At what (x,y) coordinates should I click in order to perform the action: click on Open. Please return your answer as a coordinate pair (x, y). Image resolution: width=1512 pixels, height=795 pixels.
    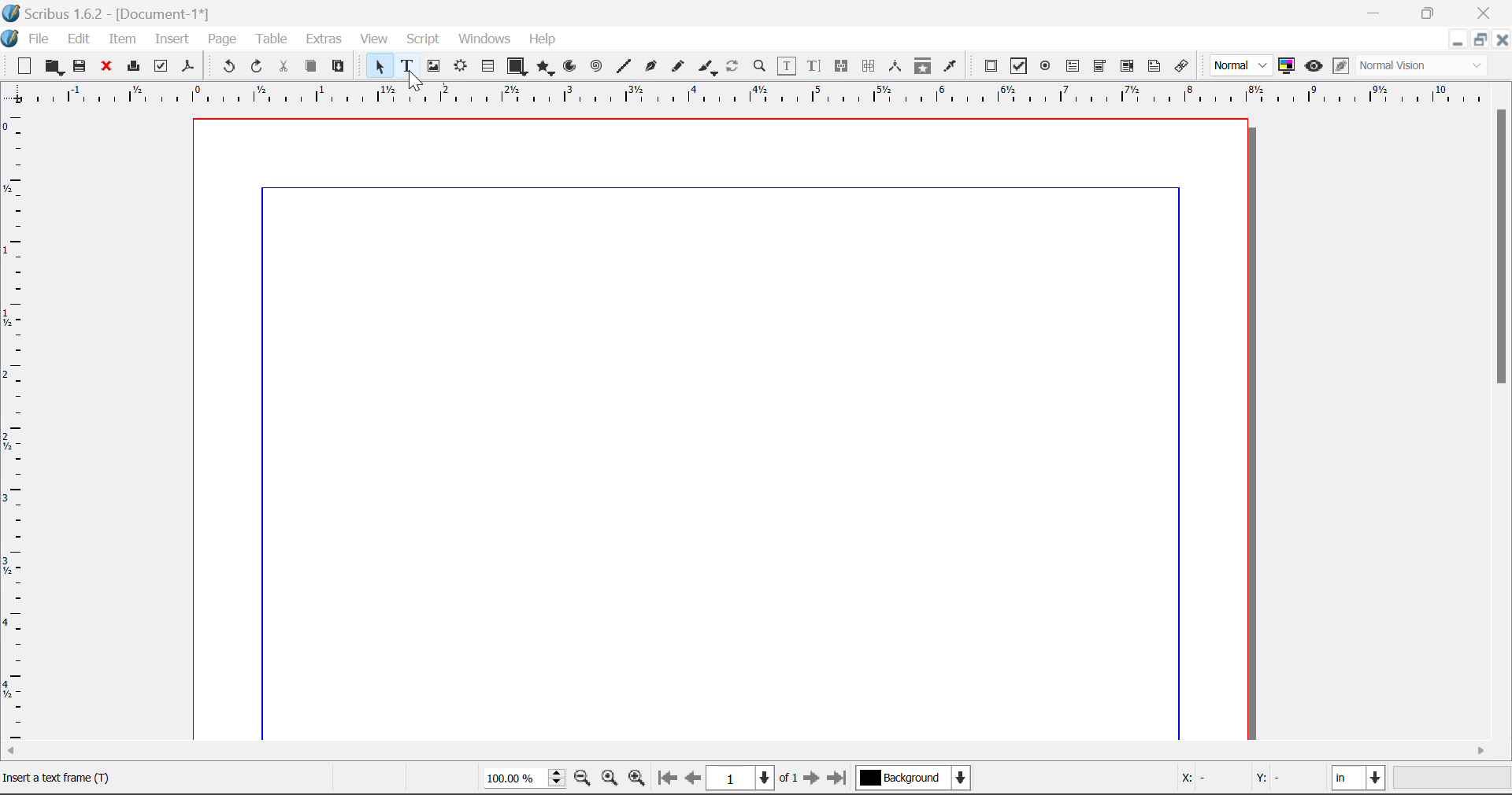
    Looking at the image, I should click on (54, 67).